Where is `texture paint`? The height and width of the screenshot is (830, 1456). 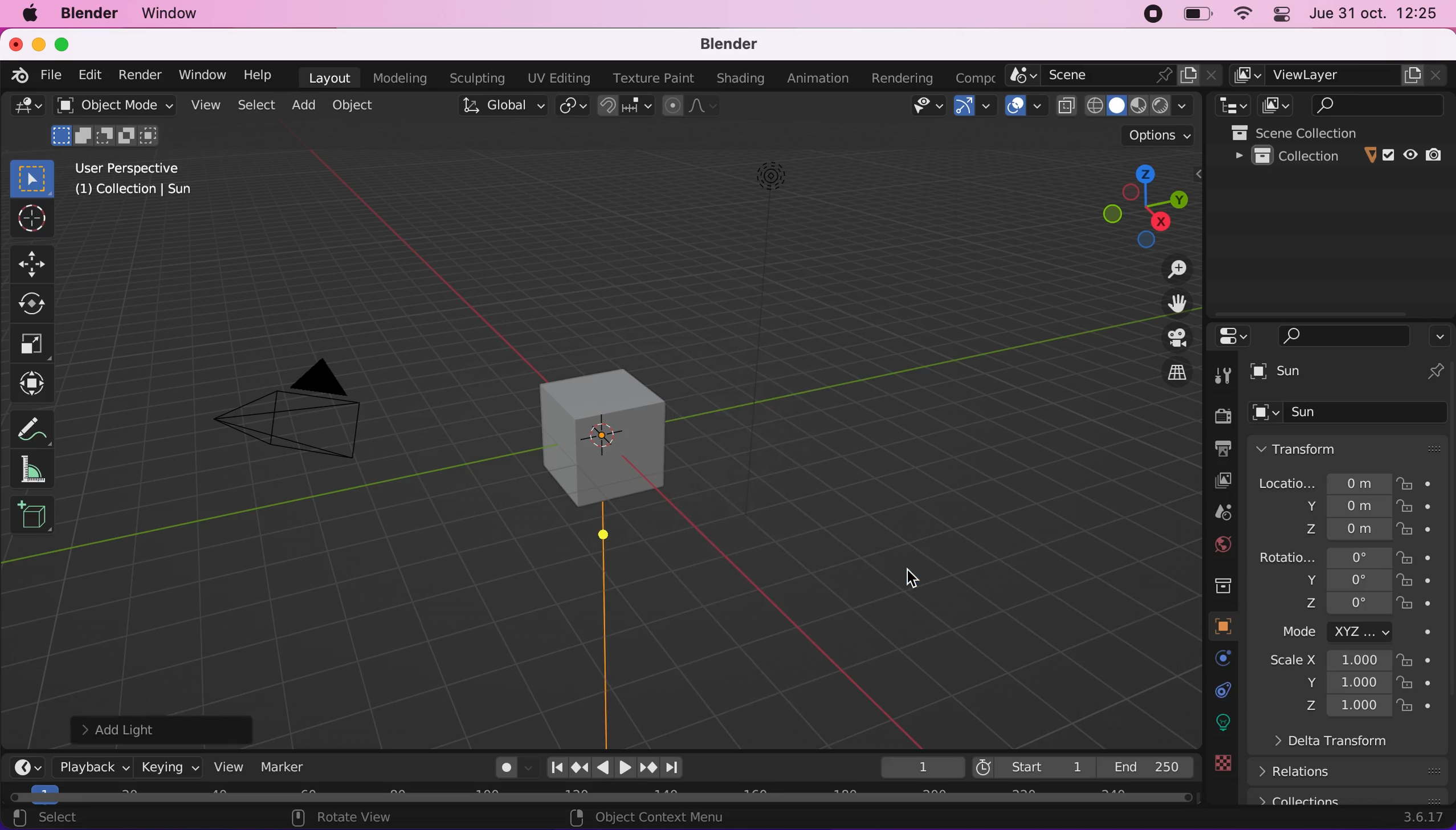 texture paint is located at coordinates (649, 78).